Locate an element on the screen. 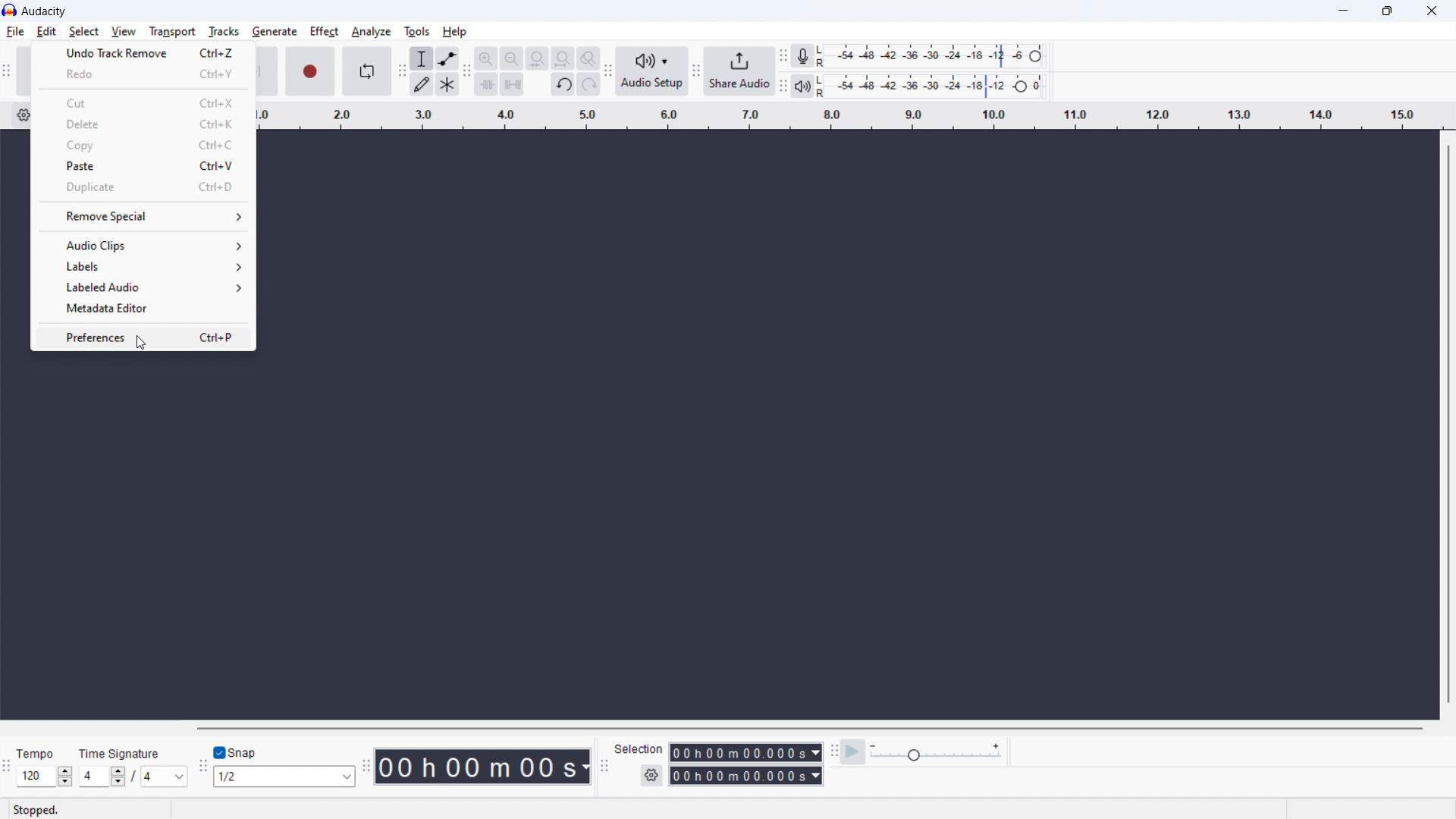  Enales movement of snapping toolbar is located at coordinates (202, 767).